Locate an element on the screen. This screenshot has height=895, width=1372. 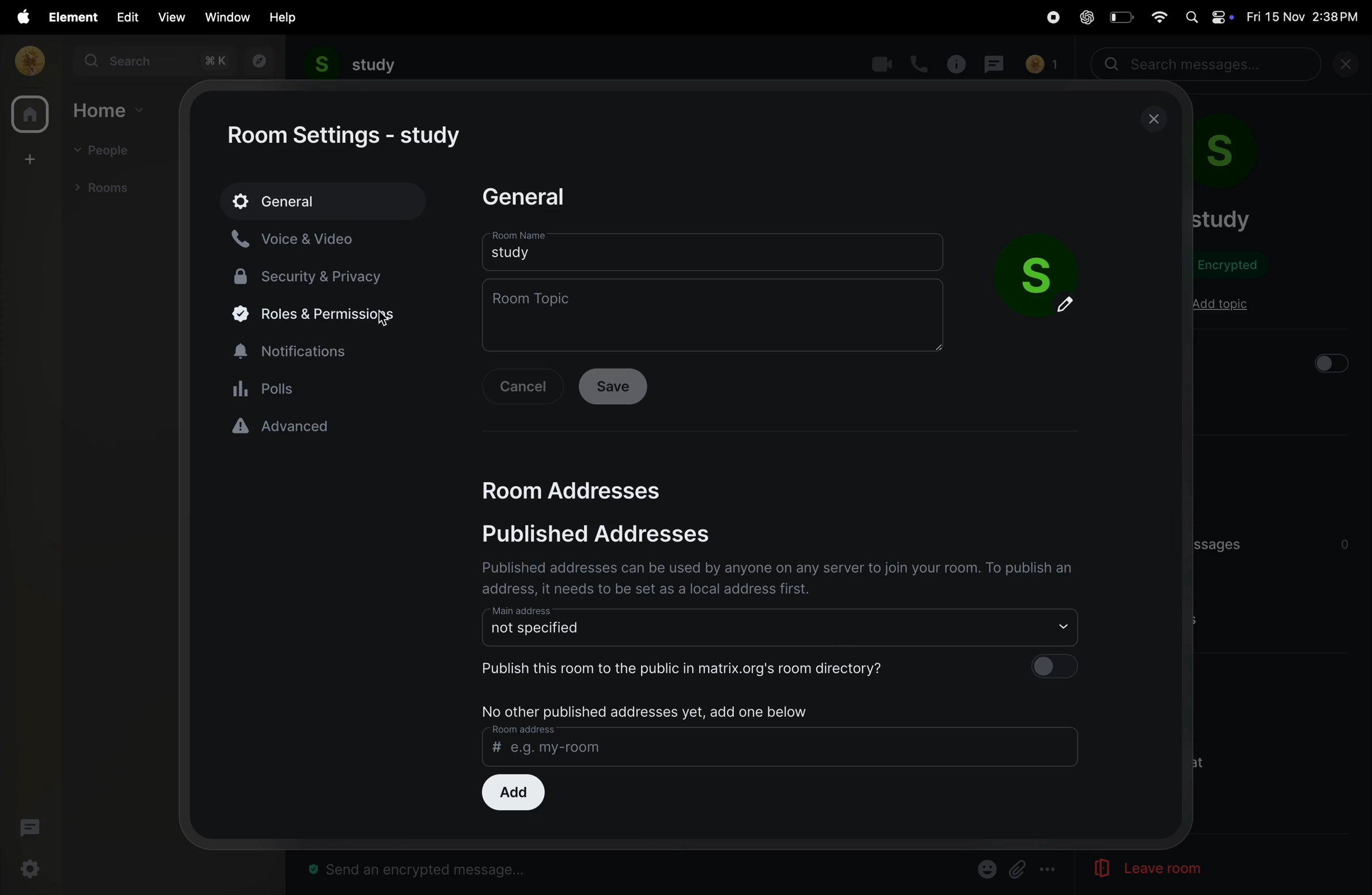
apple widgets is located at coordinates (1208, 16).